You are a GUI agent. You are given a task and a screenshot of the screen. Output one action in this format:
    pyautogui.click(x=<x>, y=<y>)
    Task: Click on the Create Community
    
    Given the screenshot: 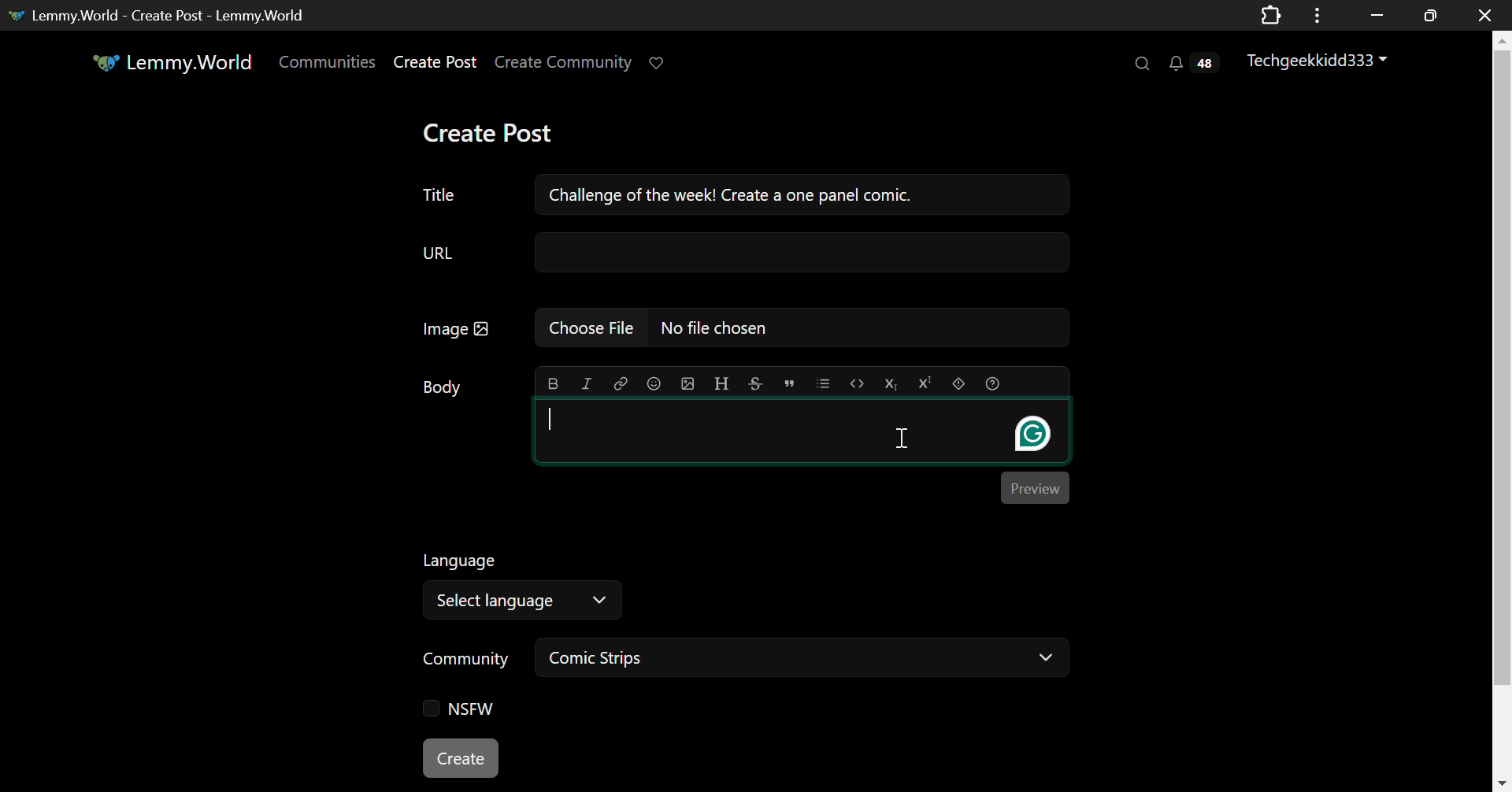 What is the action you would take?
    pyautogui.click(x=564, y=63)
    